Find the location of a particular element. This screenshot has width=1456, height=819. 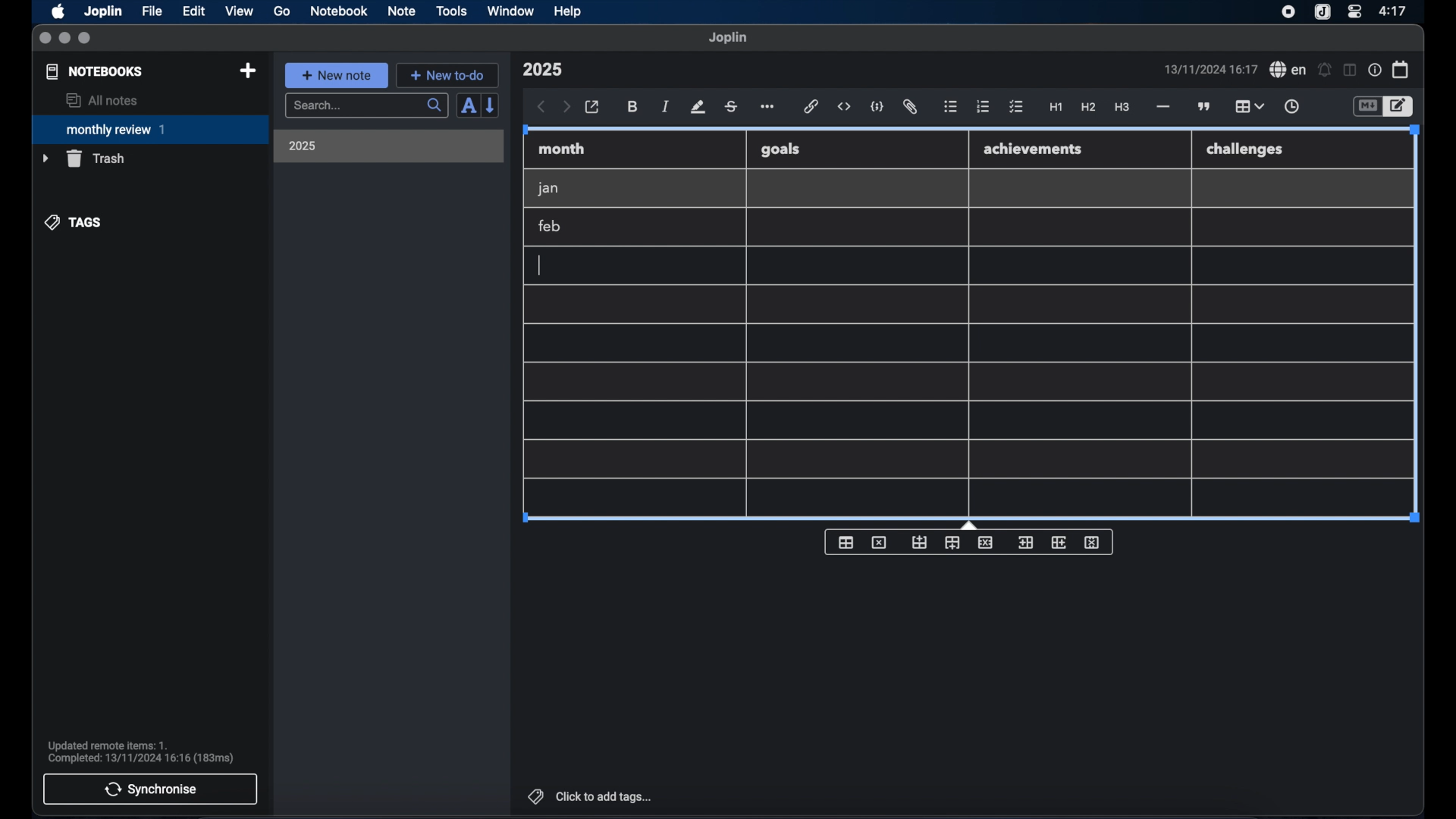

note is located at coordinates (402, 11).